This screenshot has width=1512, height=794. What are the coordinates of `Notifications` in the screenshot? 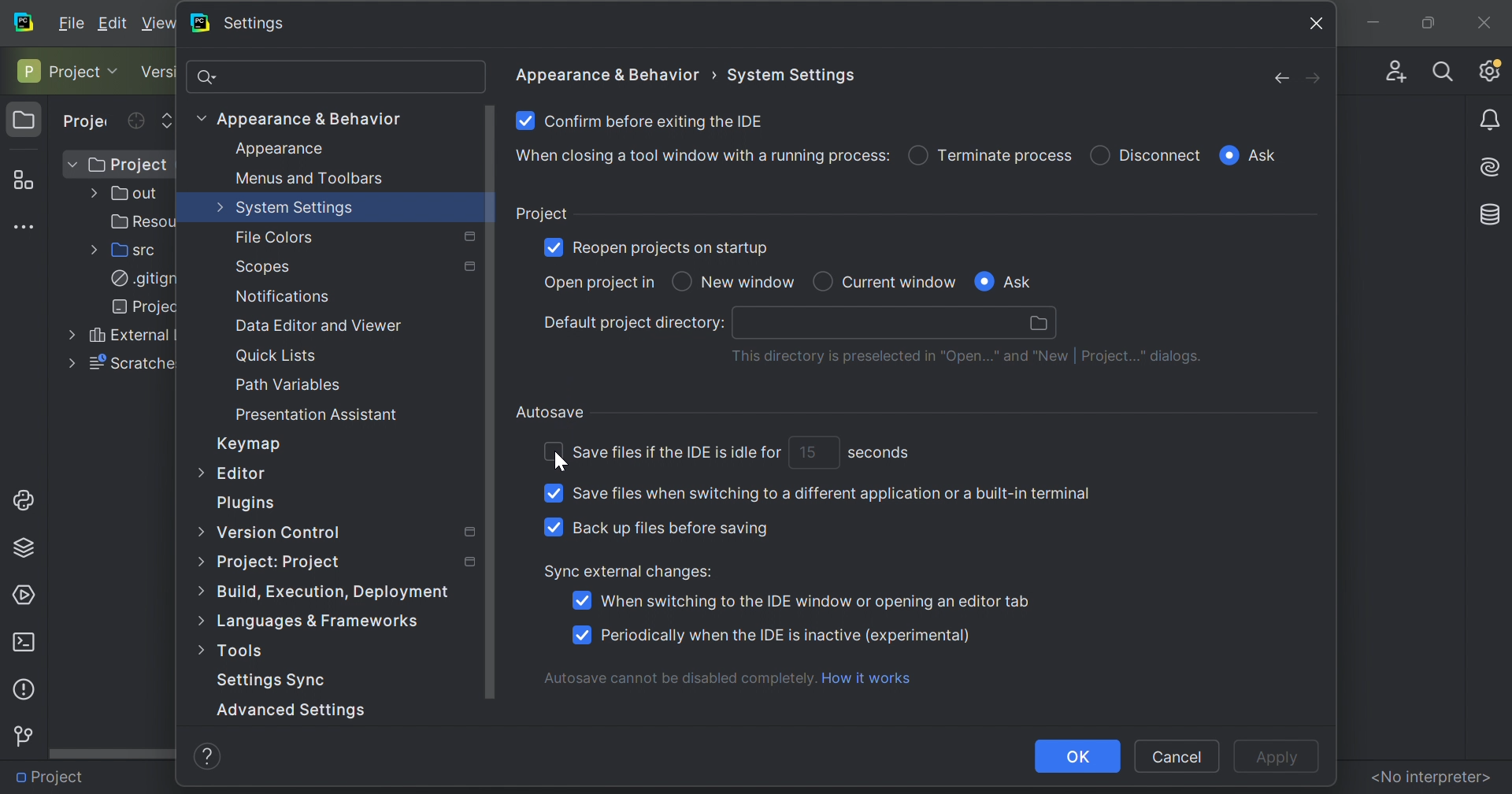 It's located at (1492, 121).